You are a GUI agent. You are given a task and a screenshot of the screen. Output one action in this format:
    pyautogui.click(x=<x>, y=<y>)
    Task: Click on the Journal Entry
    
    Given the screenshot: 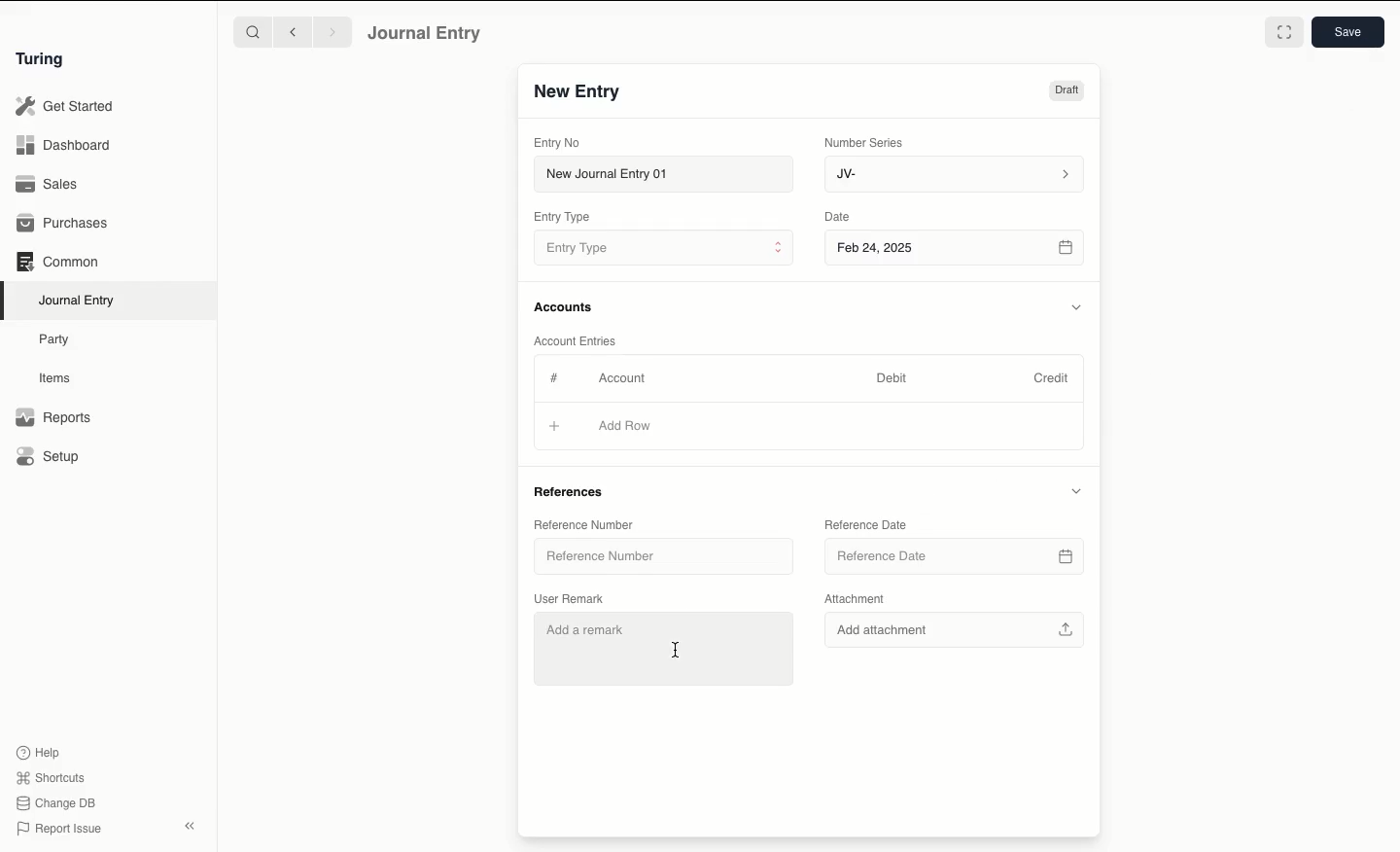 What is the action you would take?
    pyautogui.click(x=426, y=34)
    